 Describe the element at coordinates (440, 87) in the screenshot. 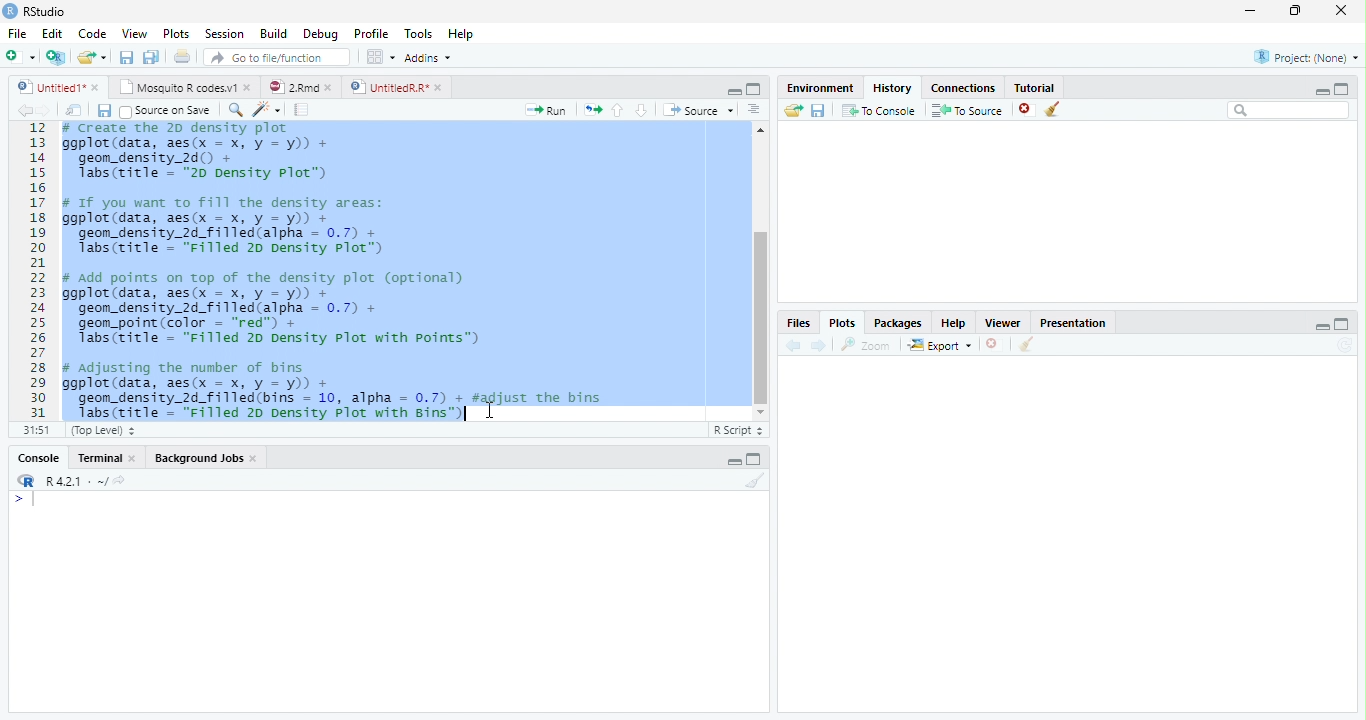

I see `close` at that location.